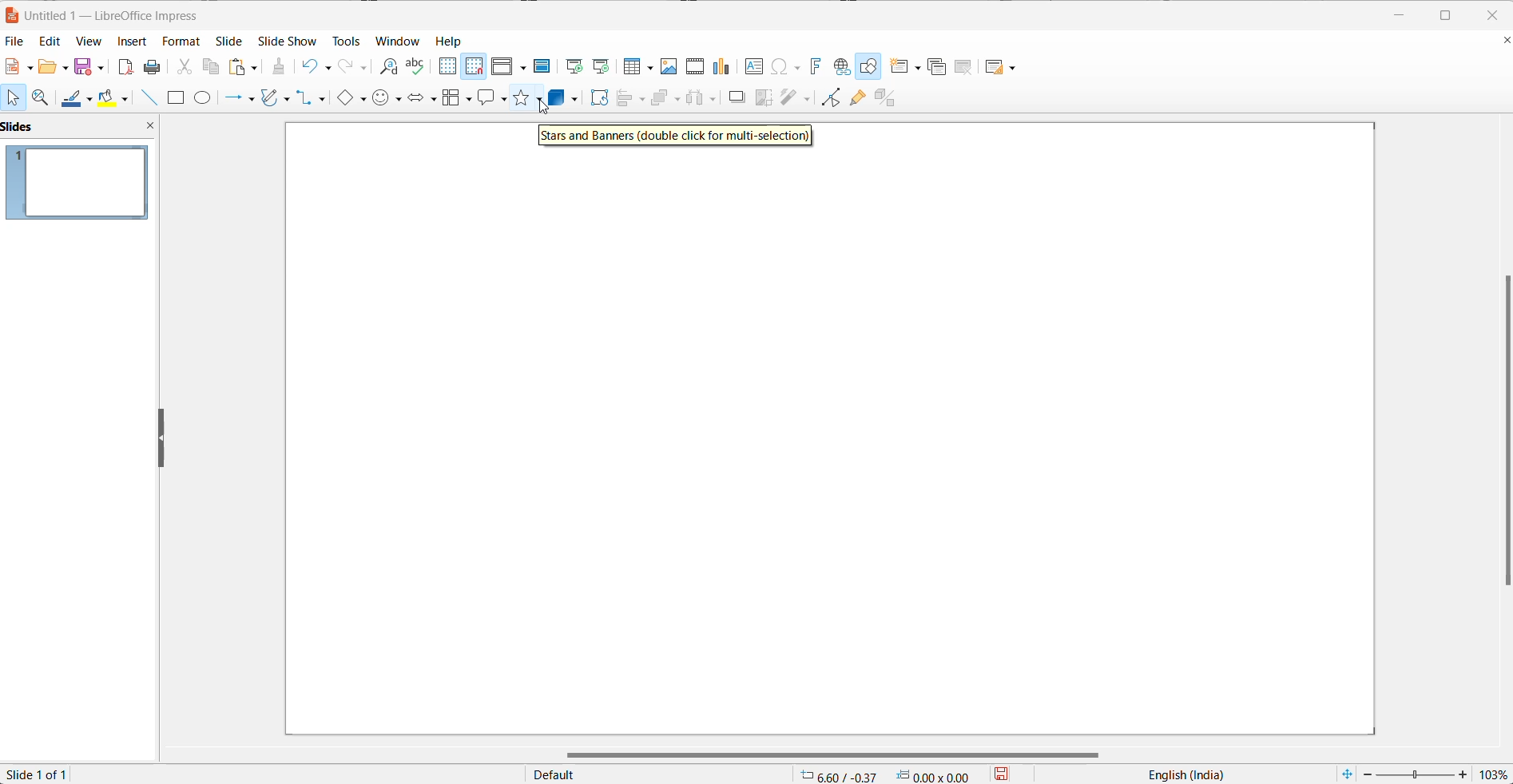 The width and height of the screenshot is (1513, 784). I want to click on start from first slide, so click(570, 65).